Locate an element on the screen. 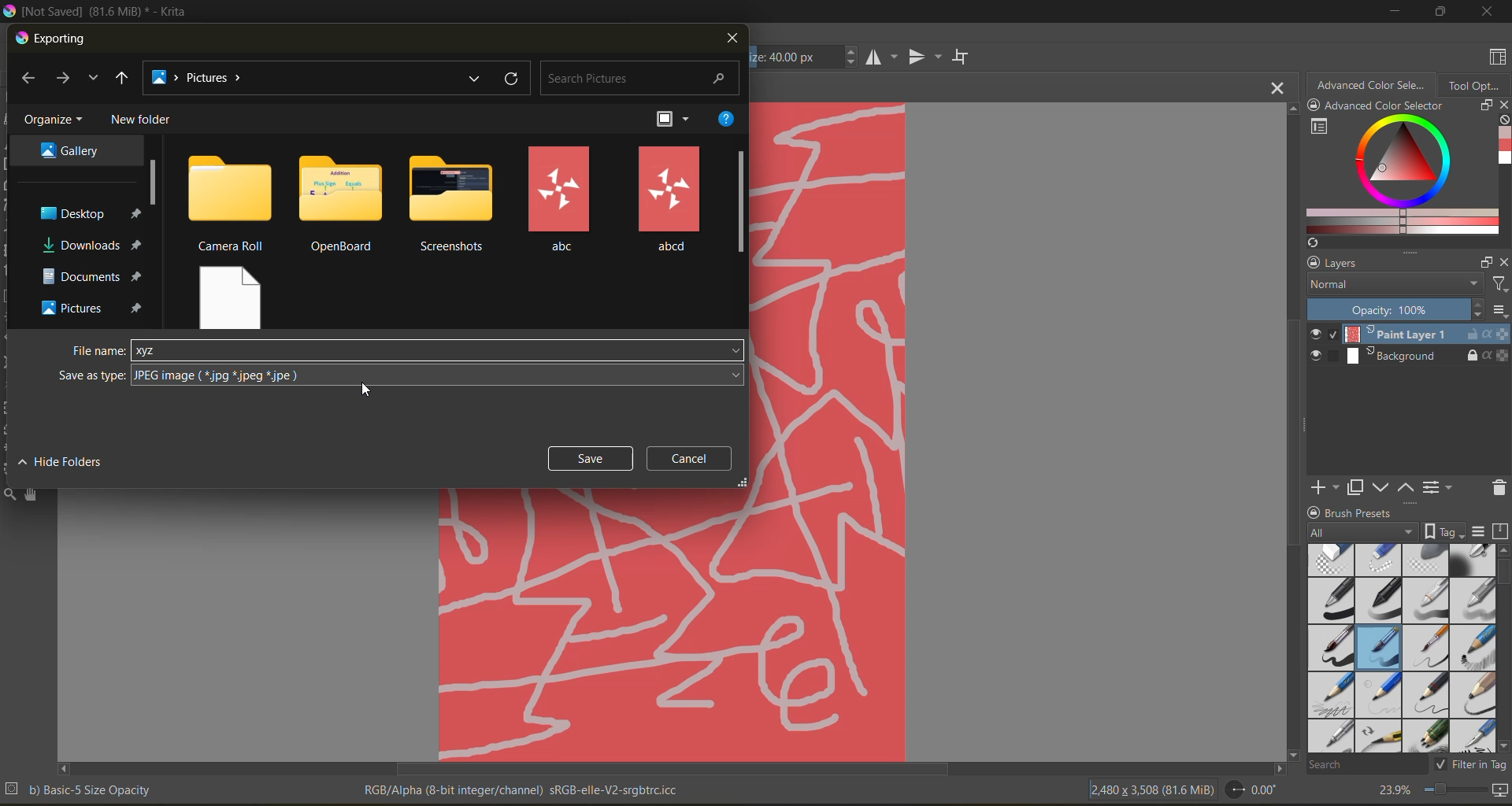  horizontal scroll bar is located at coordinates (671, 769).